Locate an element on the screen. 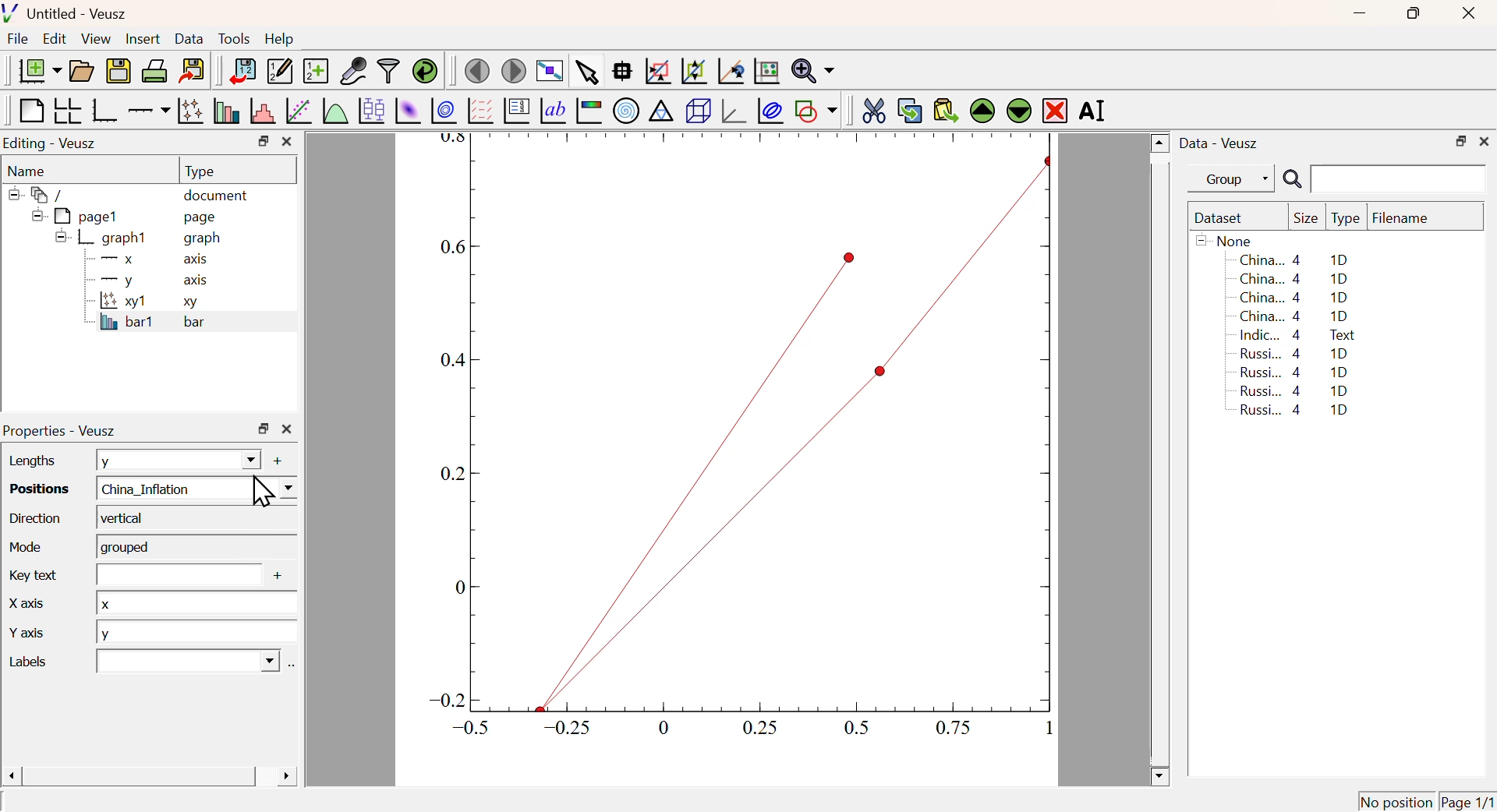 This screenshot has width=1497, height=812. Positions is located at coordinates (34, 487).